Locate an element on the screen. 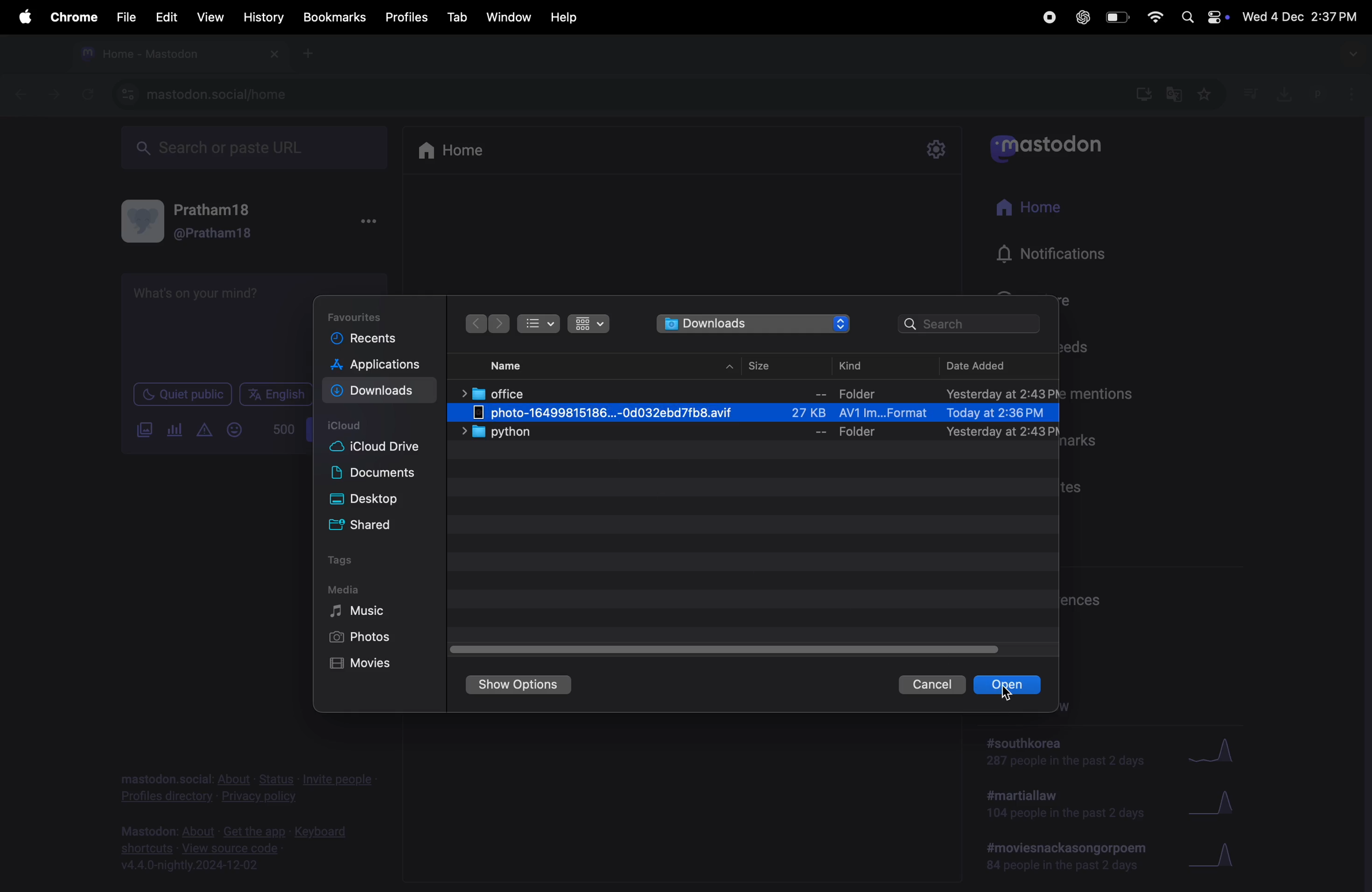 This screenshot has width=1372, height=892. help is located at coordinates (563, 17).